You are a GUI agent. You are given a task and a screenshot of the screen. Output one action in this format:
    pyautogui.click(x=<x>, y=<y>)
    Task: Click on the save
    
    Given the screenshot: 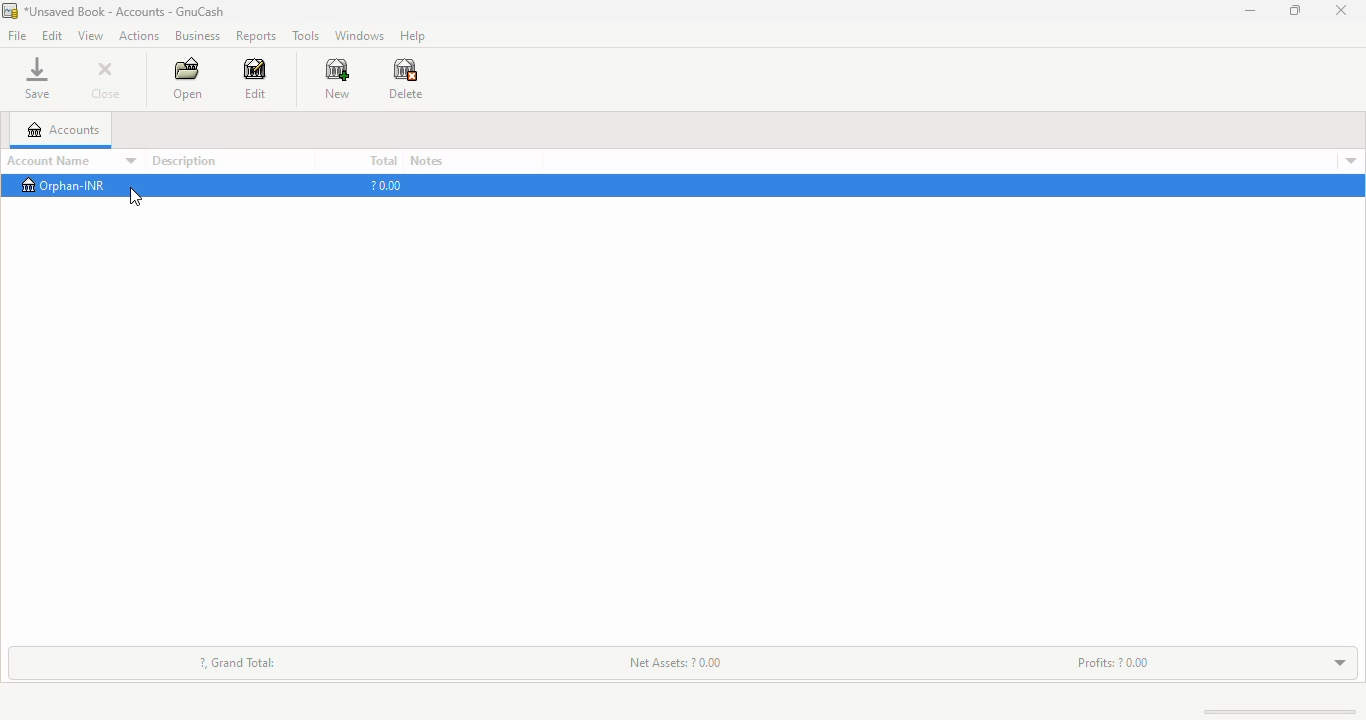 What is the action you would take?
    pyautogui.click(x=38, y=78)
    